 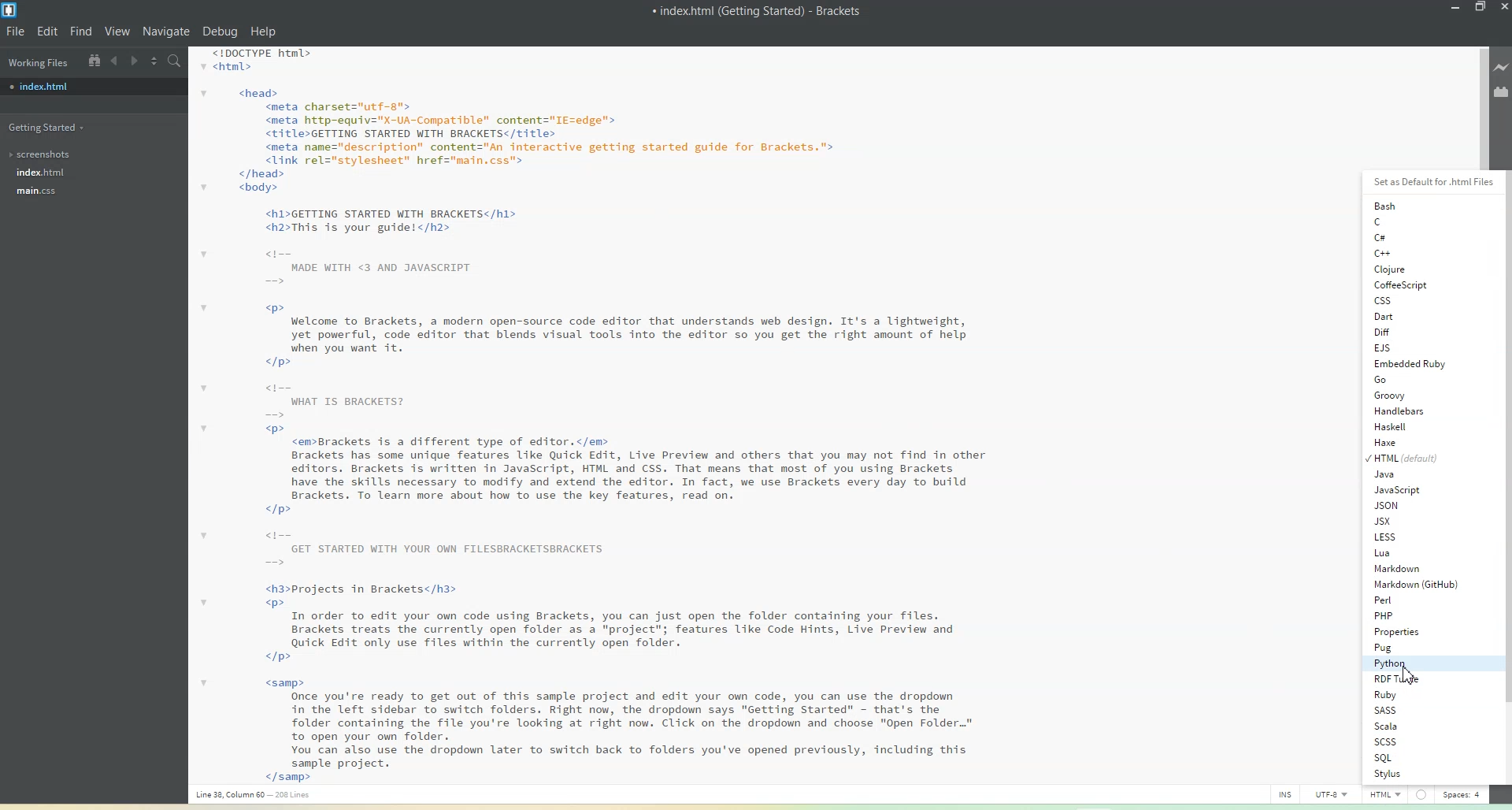 I want to click on Set as Default for .html Files, so click(x=1428, y=181).